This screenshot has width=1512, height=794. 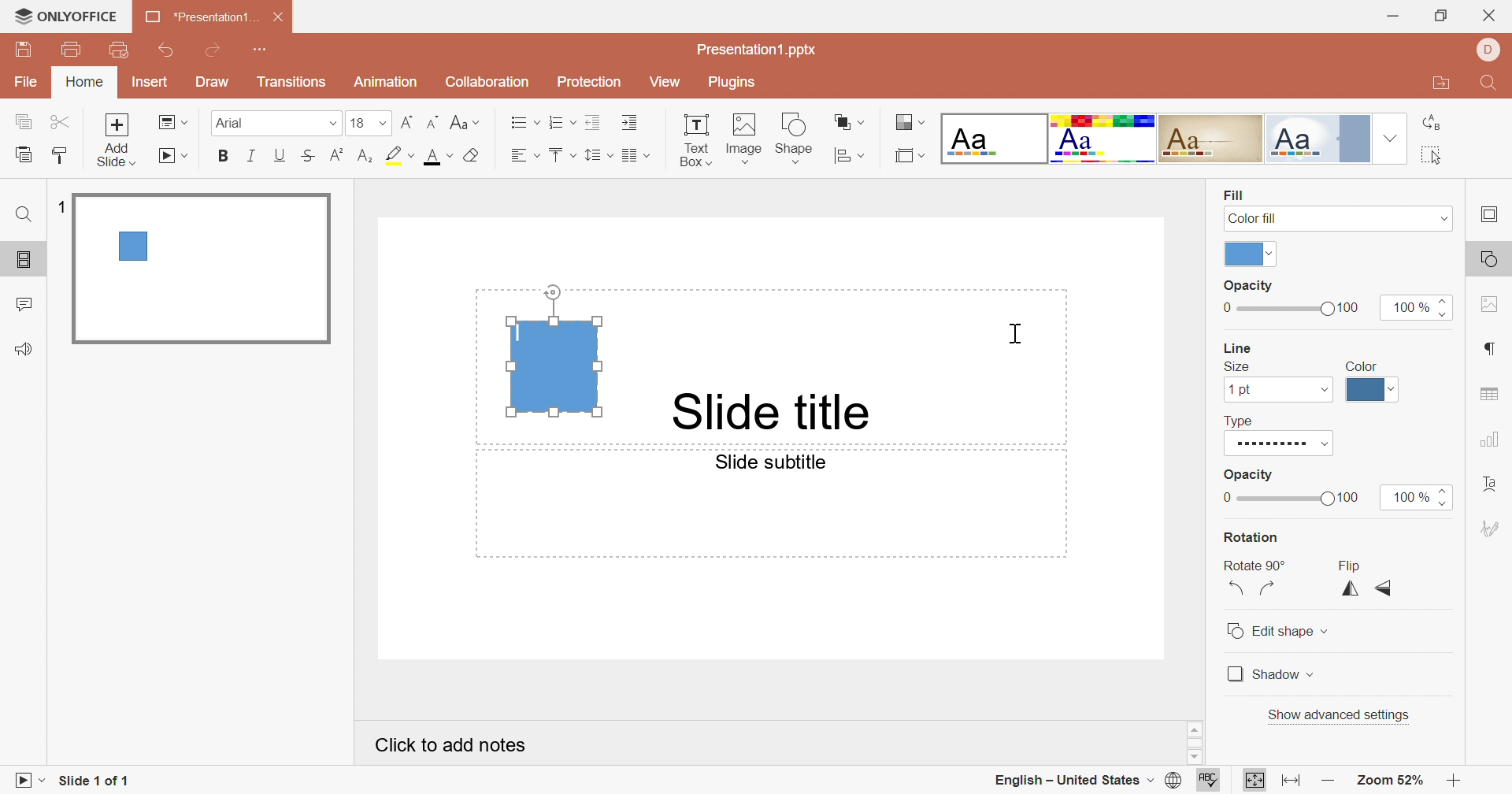 What do you see at coordinates (199, 17) in the screenshot?
I see `*Presentation1....xlsx` at bounding box center [199, 17].